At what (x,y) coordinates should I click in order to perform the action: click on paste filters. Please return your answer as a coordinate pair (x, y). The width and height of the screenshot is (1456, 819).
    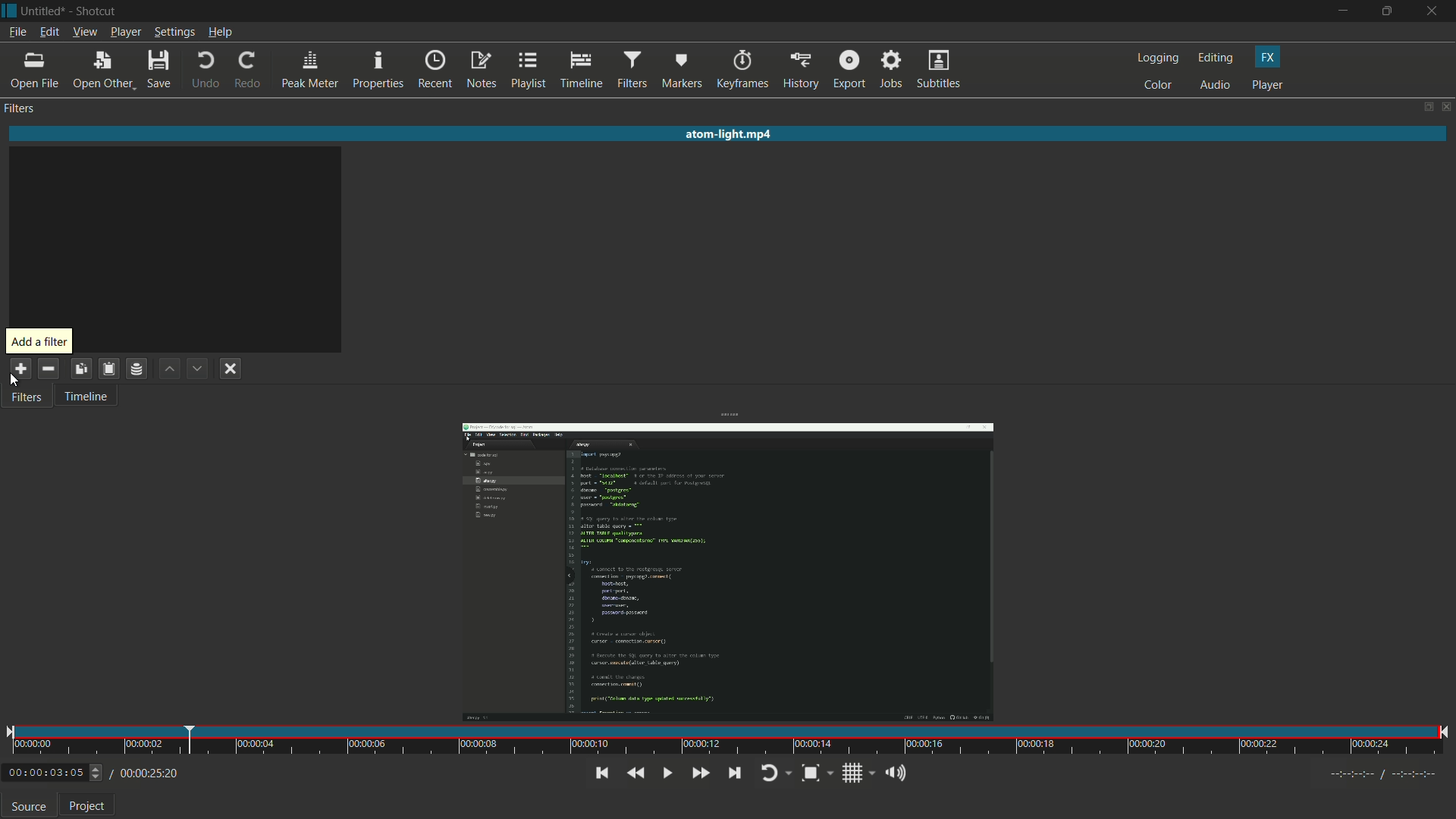
    Looking at the image, I should click on (108, 369).